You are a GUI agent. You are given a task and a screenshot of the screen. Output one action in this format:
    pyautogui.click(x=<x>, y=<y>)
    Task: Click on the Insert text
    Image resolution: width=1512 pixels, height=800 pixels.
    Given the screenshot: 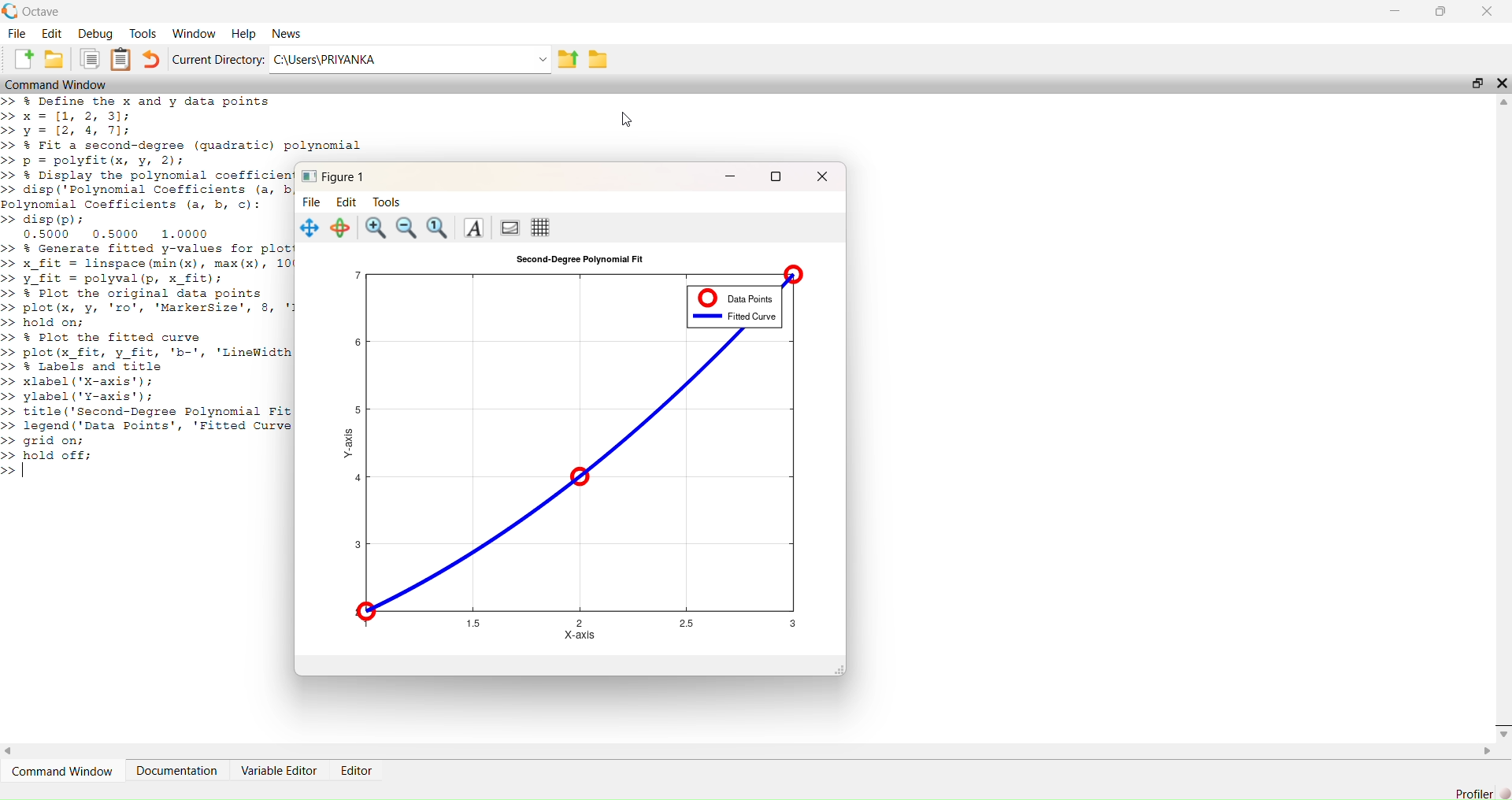 What is the action you would take?
    pyautogui.click(x=476, y=229)
    